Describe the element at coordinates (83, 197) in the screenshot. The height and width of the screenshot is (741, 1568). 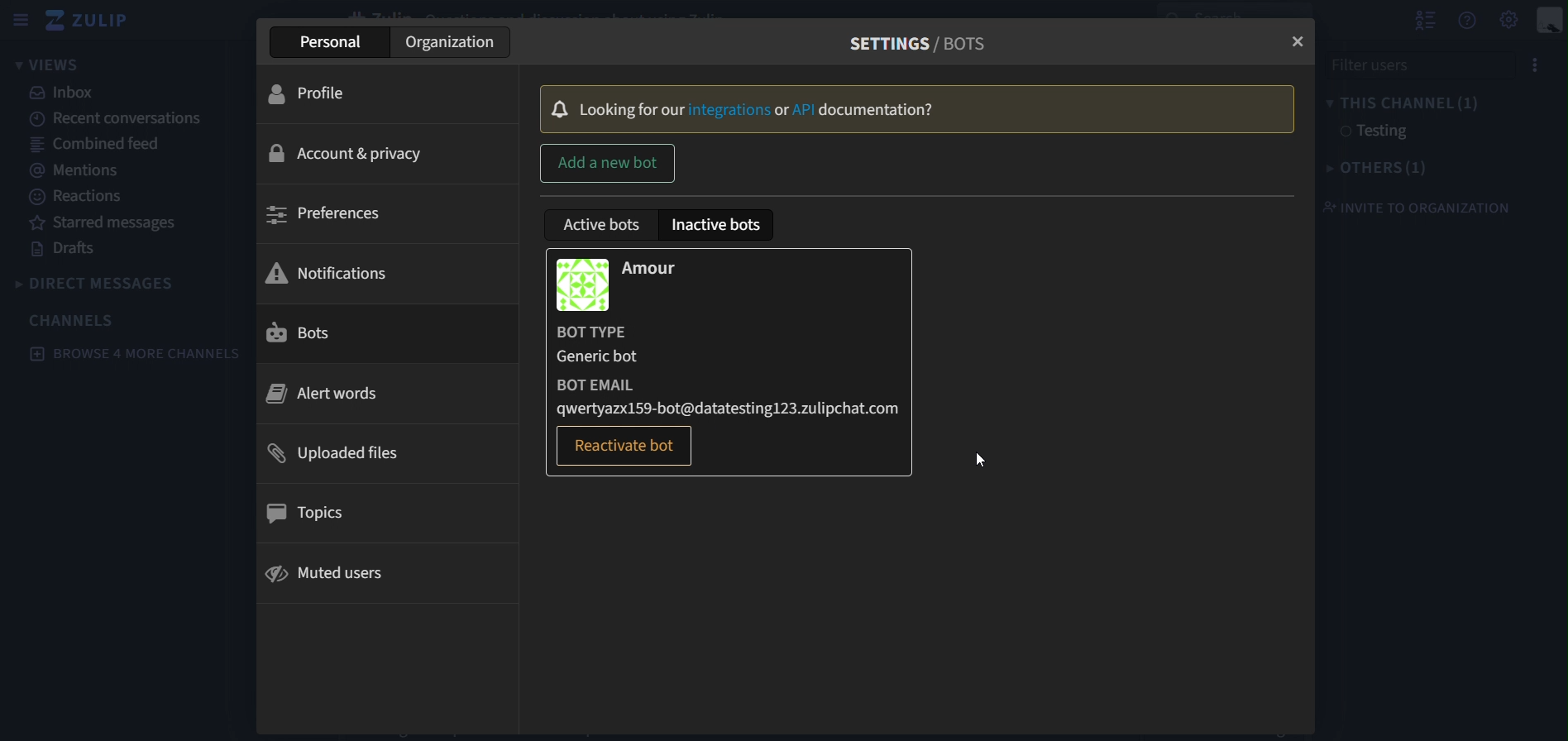
I see `reactions` at that location.